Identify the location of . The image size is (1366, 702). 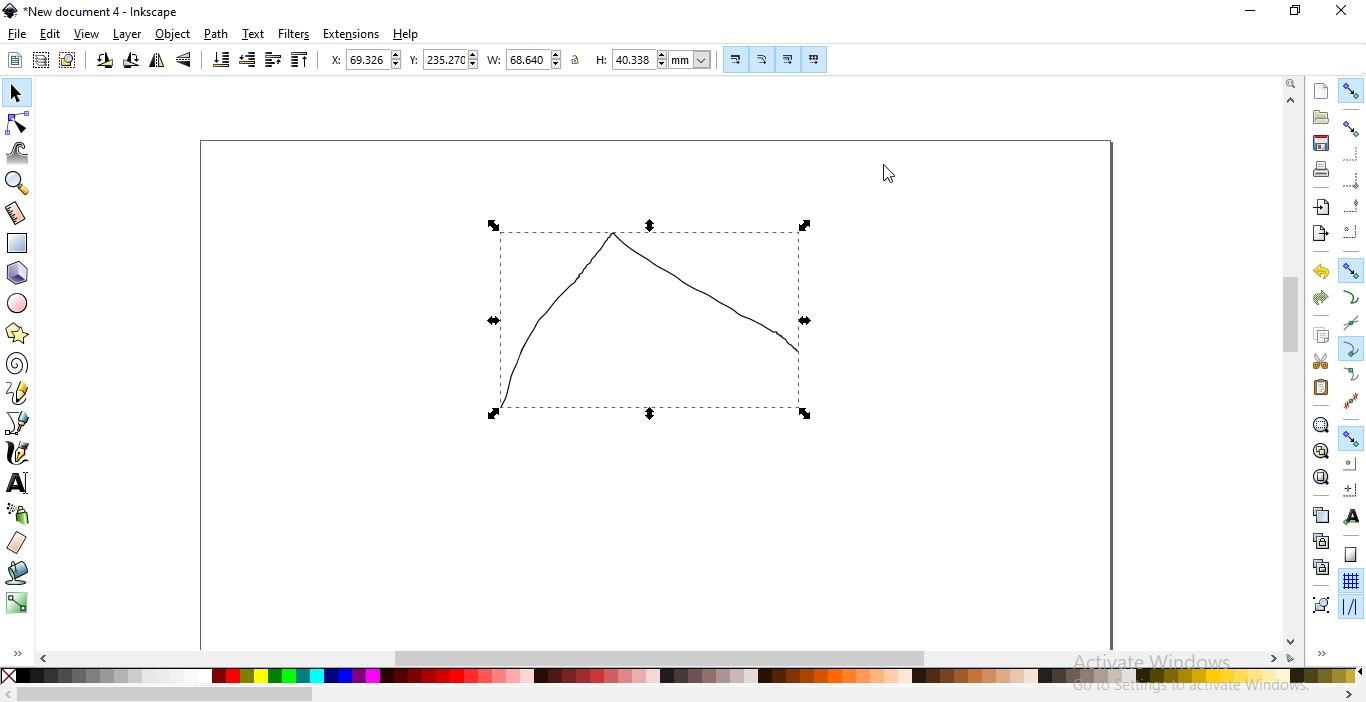
(737, 59).